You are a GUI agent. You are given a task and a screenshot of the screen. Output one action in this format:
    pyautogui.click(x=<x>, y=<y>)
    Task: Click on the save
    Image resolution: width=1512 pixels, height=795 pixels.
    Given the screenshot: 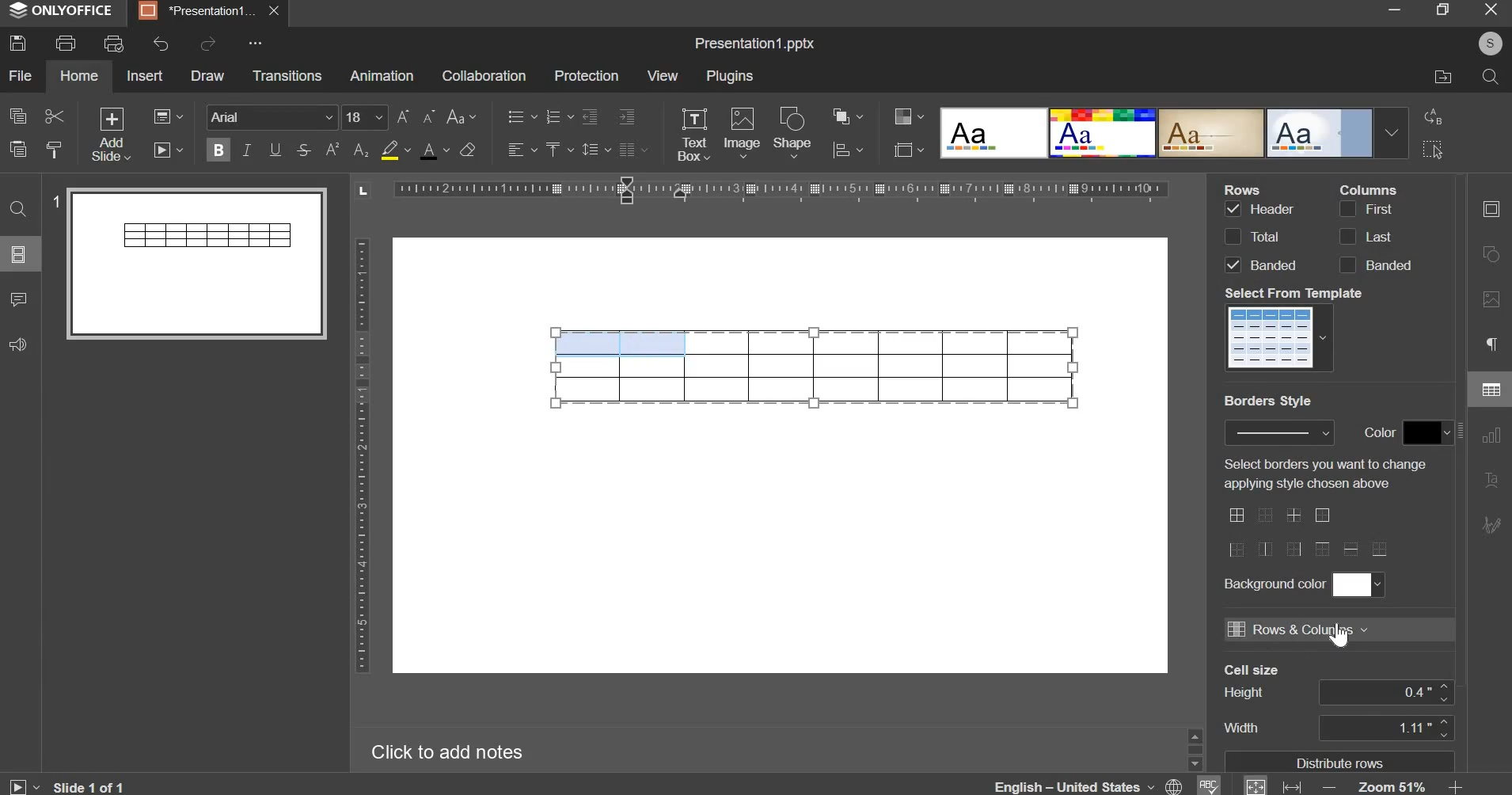 What is the action you would take?
    pyautogui.click(x=17, y=43)
    